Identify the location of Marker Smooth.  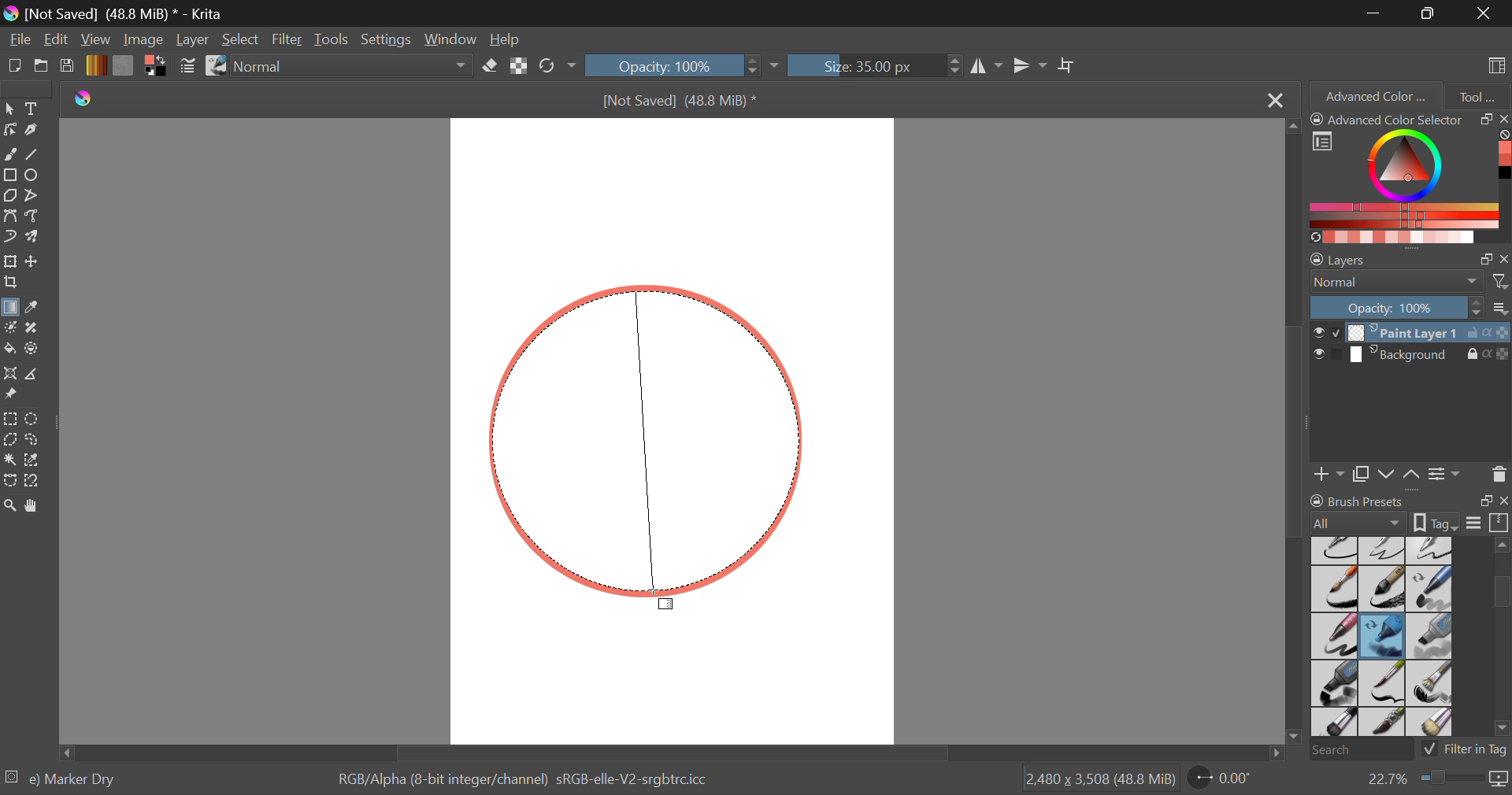
(1334, 636).